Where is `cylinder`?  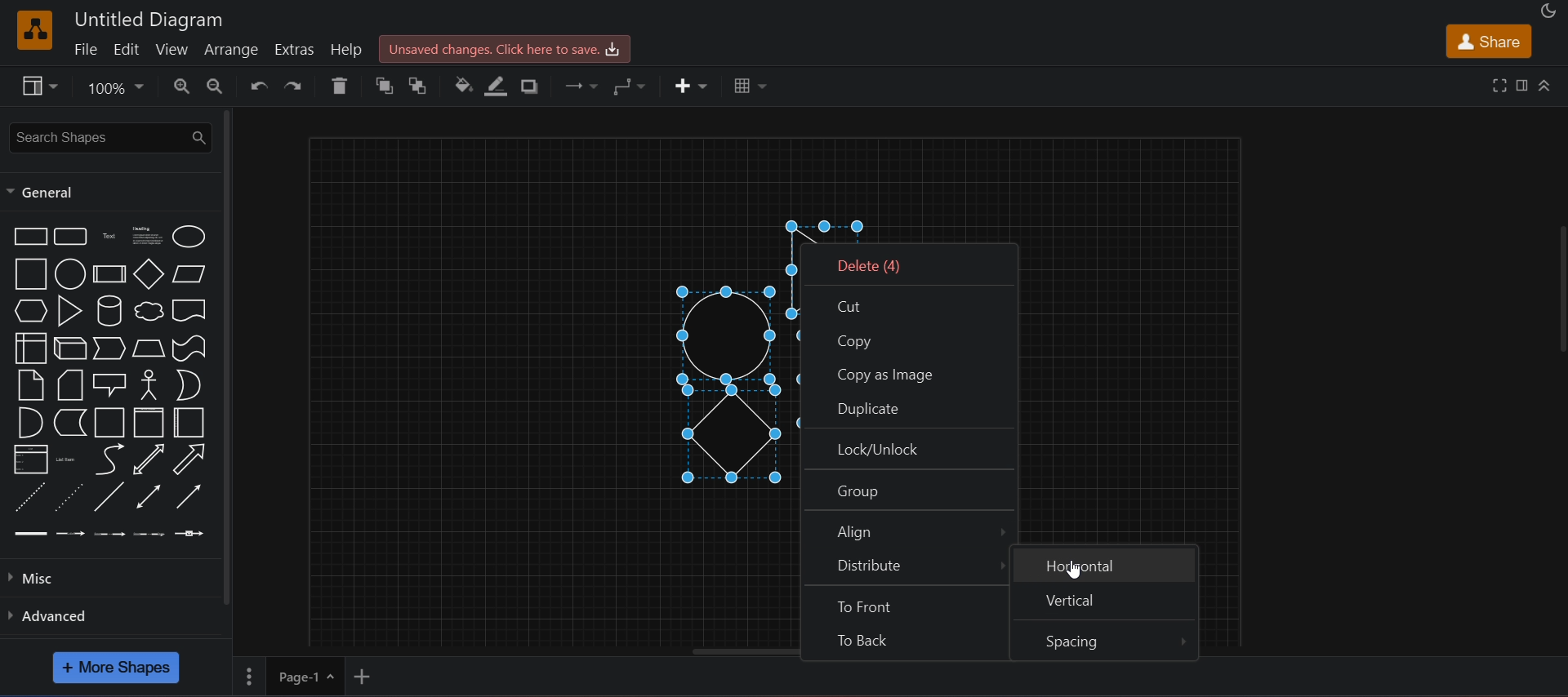
cylinder is located at coordinates (110, 311).